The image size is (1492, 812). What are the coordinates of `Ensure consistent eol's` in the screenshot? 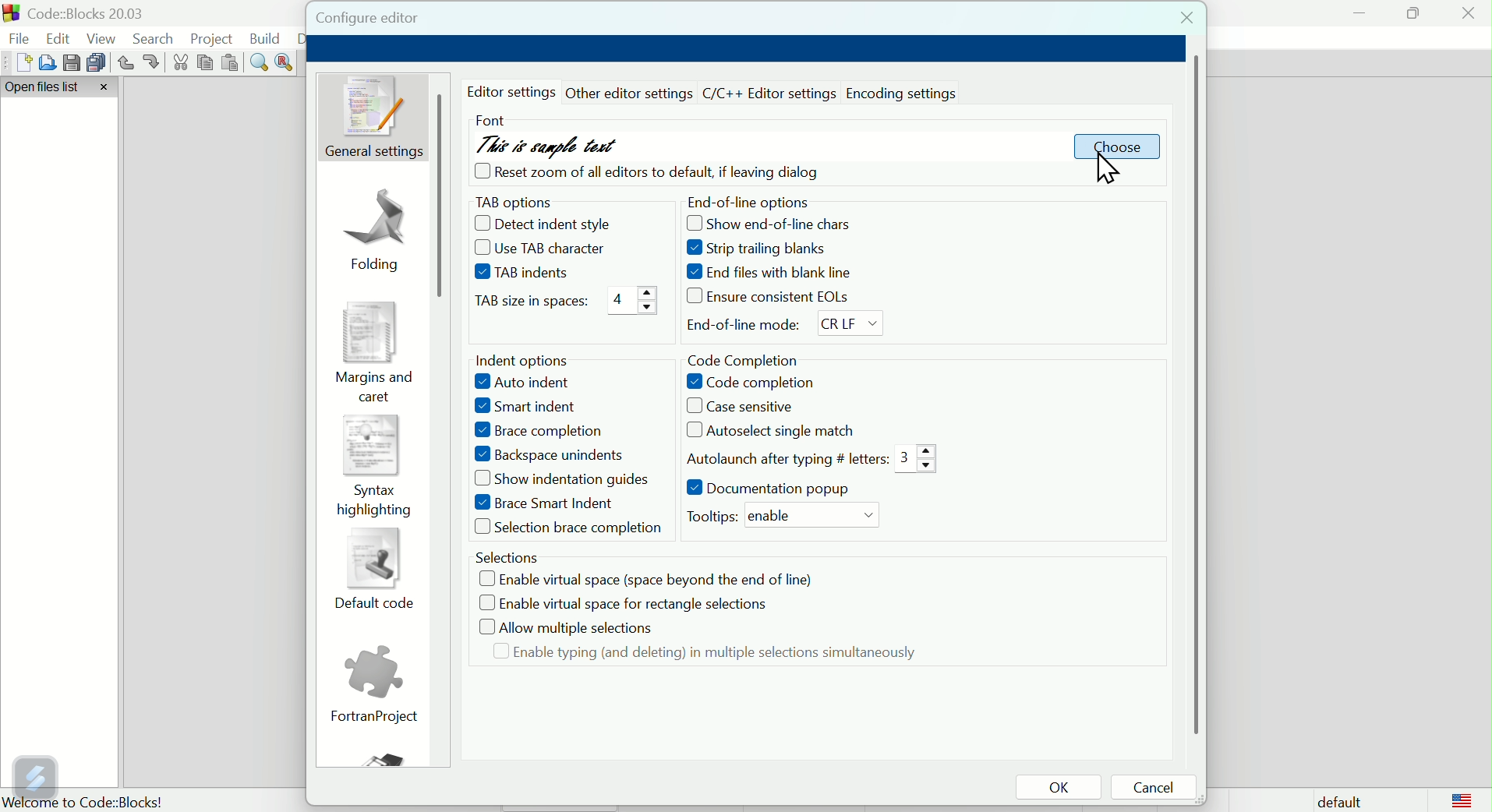 It's located at (774, 298).